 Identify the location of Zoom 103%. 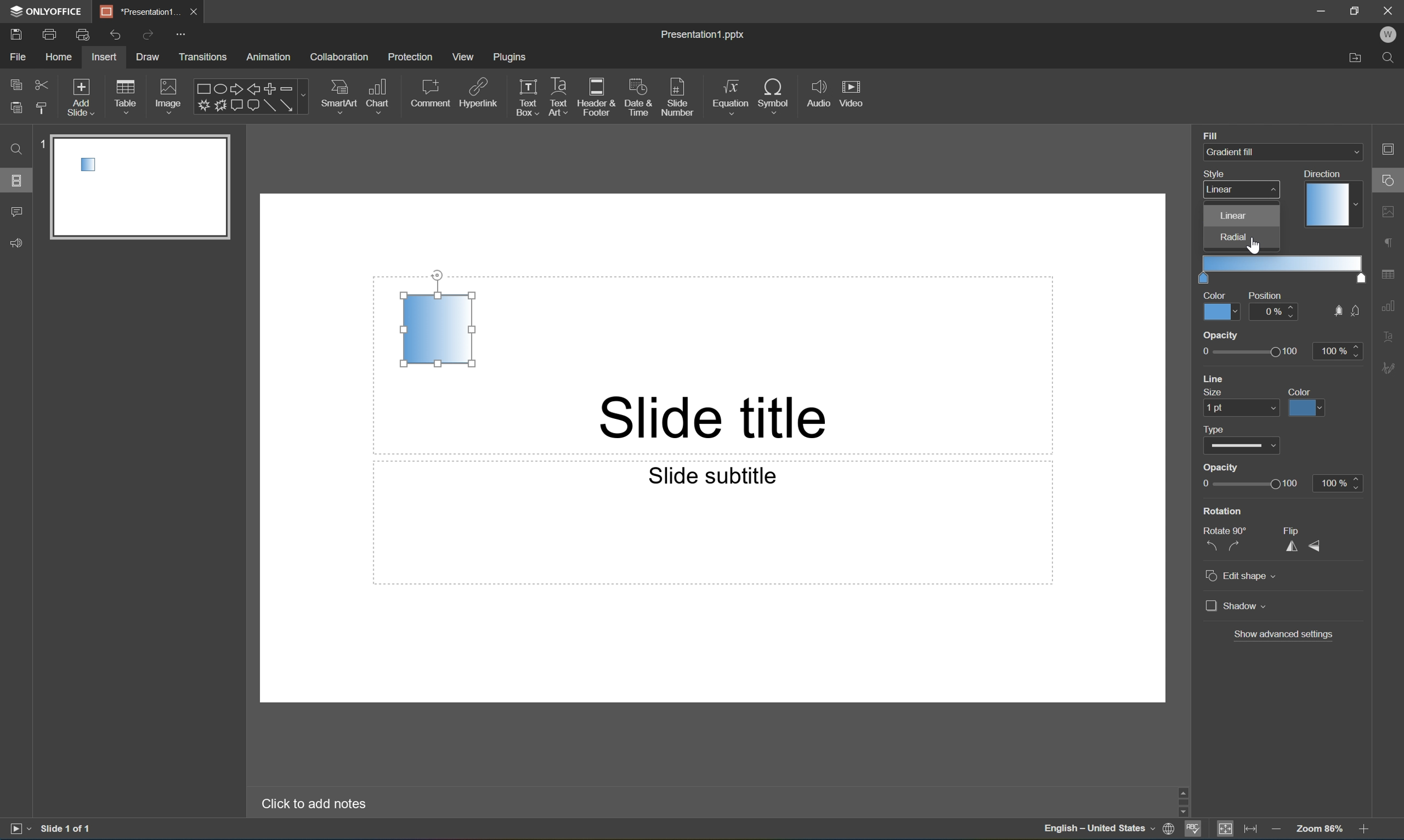
(1319, 828).